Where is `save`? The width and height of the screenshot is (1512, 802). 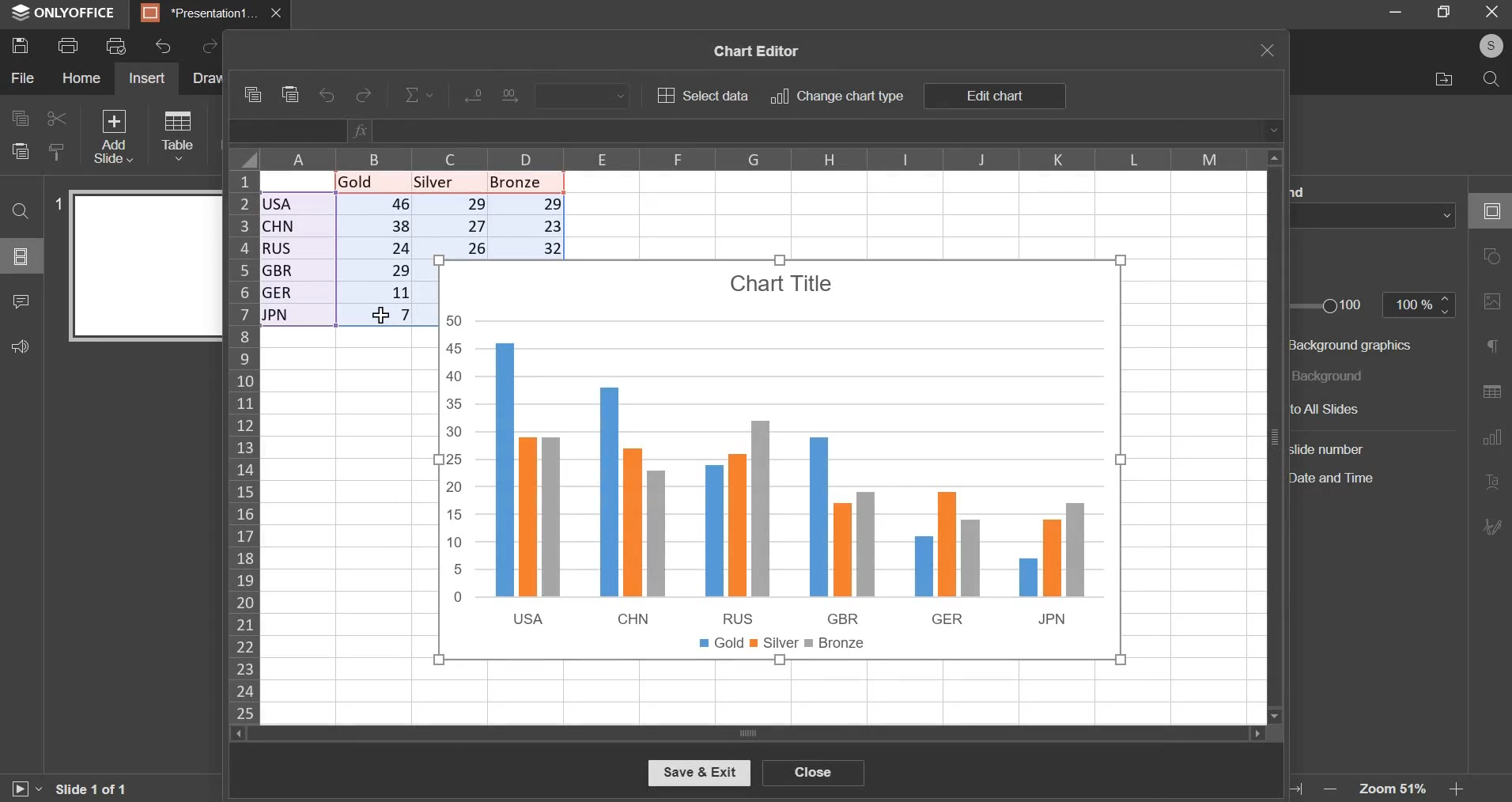
save is located at coordinates (20, 46).